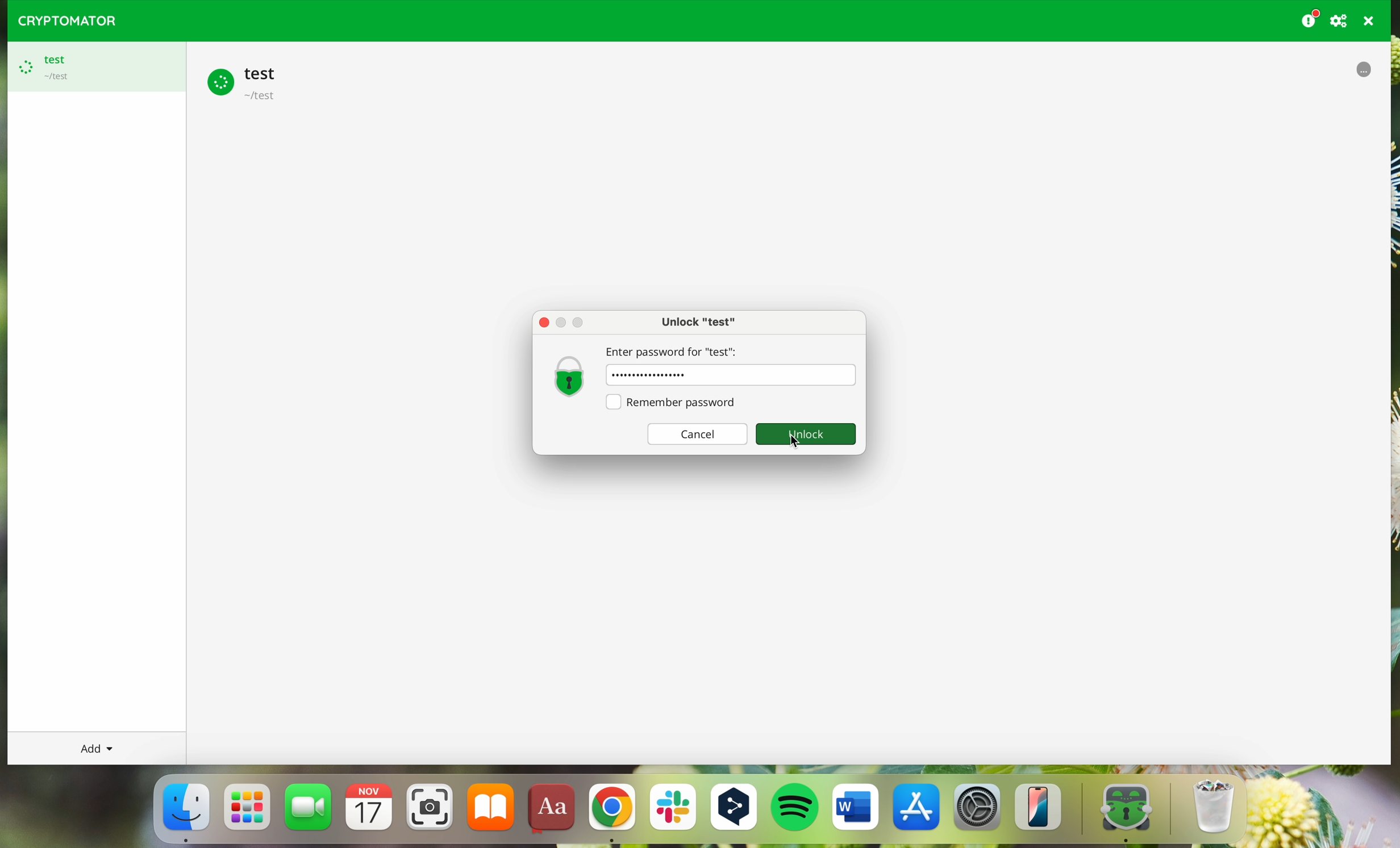  Describe the element at coordinates (1041, 811) in the screenshot. I see `iphone mirroning` at that location.